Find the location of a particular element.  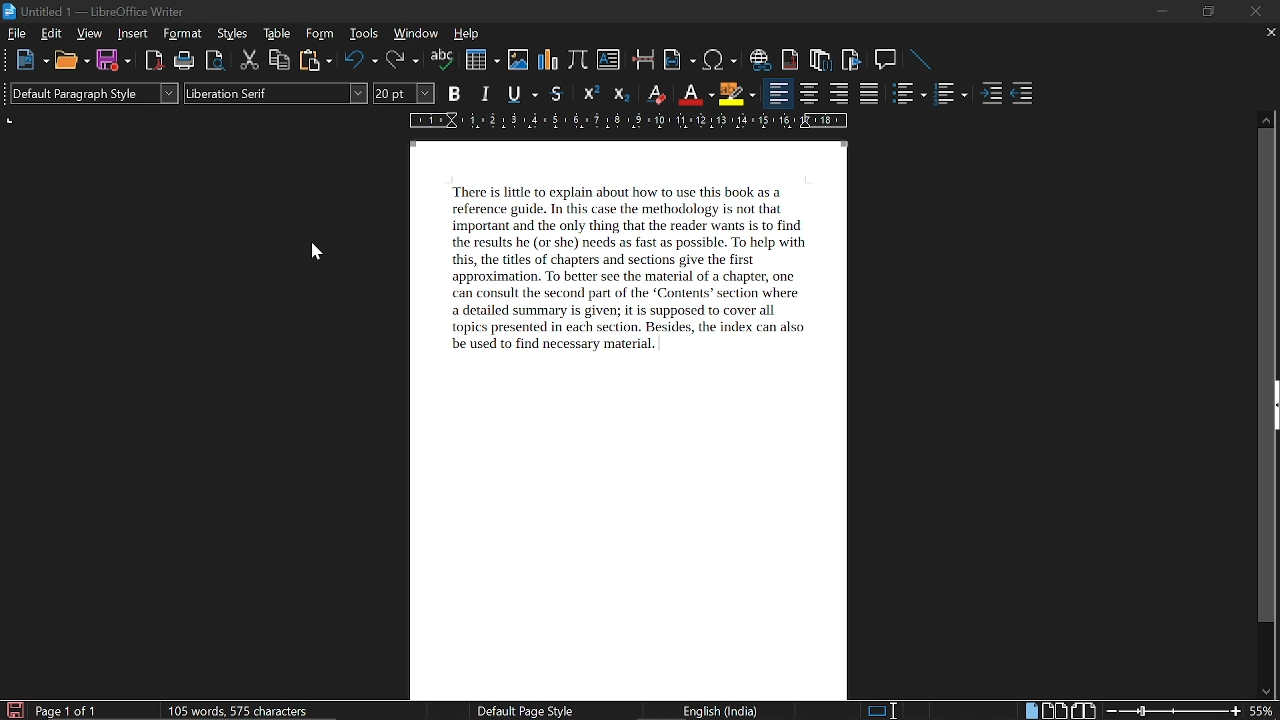

new is located at coordinates (30, 60).